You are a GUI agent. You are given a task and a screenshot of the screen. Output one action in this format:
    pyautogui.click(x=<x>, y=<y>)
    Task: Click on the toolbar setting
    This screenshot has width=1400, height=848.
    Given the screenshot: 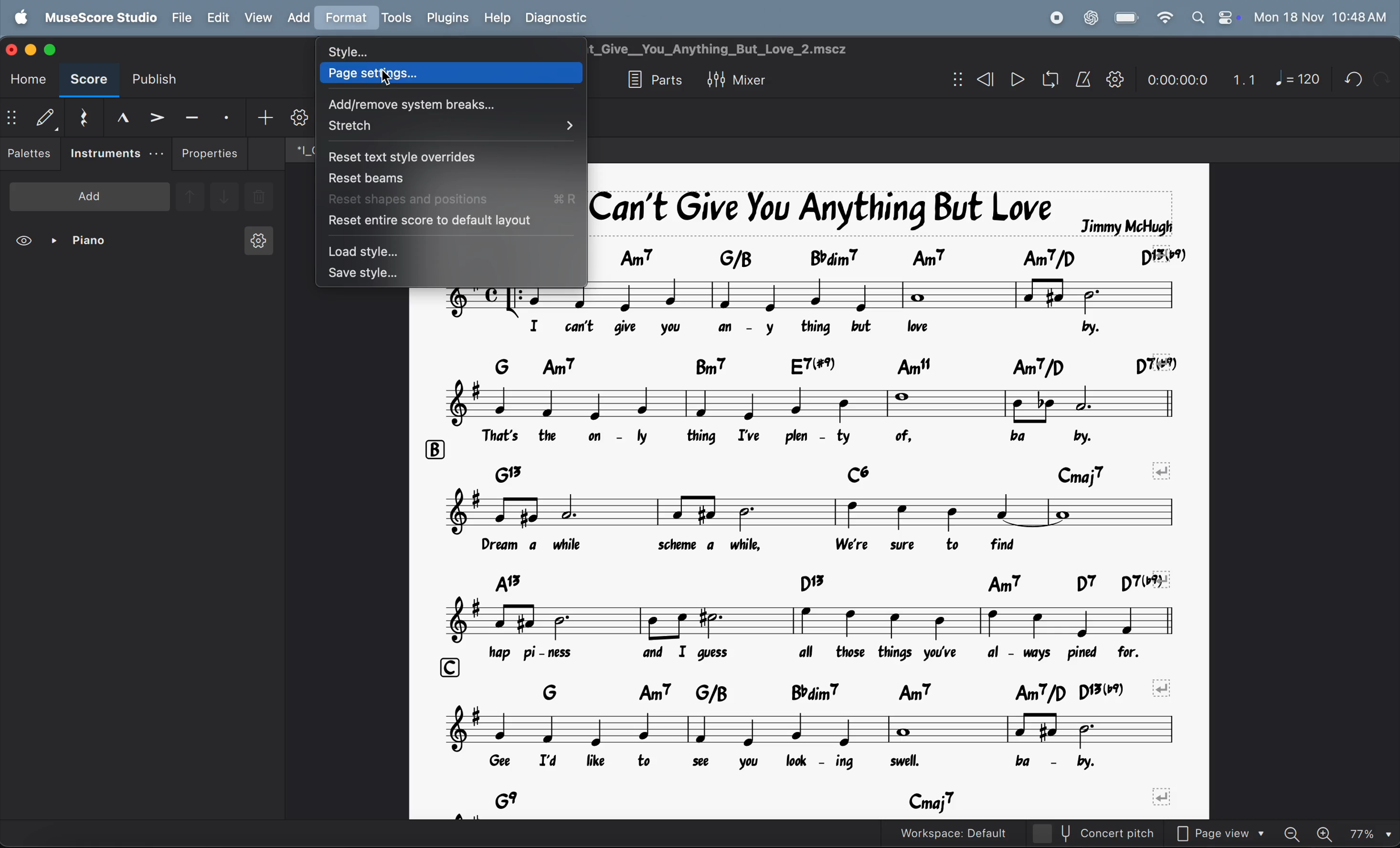 What is the action you would take?
    pyautogui.click(x=299, y=118)
    